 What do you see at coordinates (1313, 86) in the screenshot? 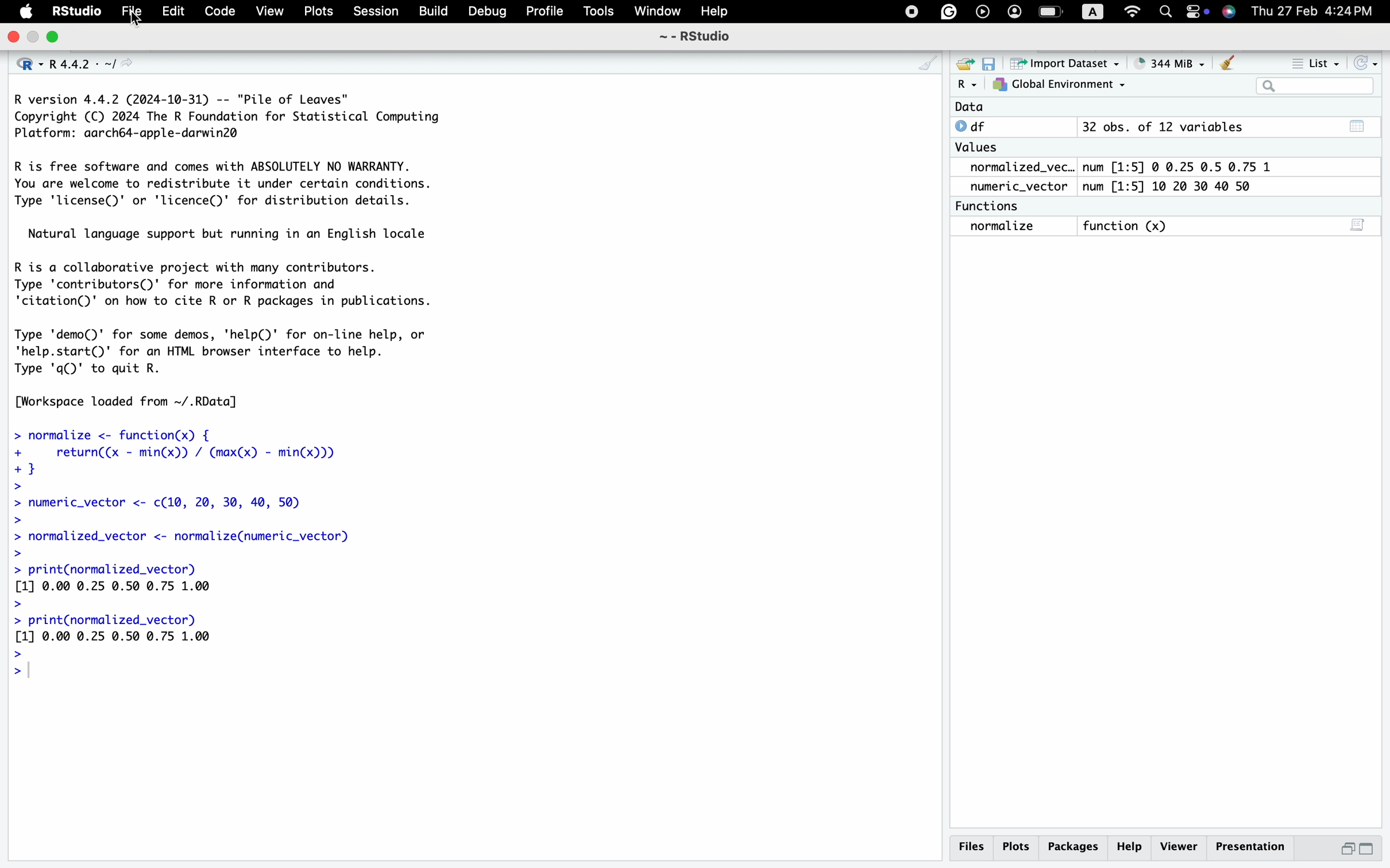
I see `search bar` at bounding box center [1313, 86].